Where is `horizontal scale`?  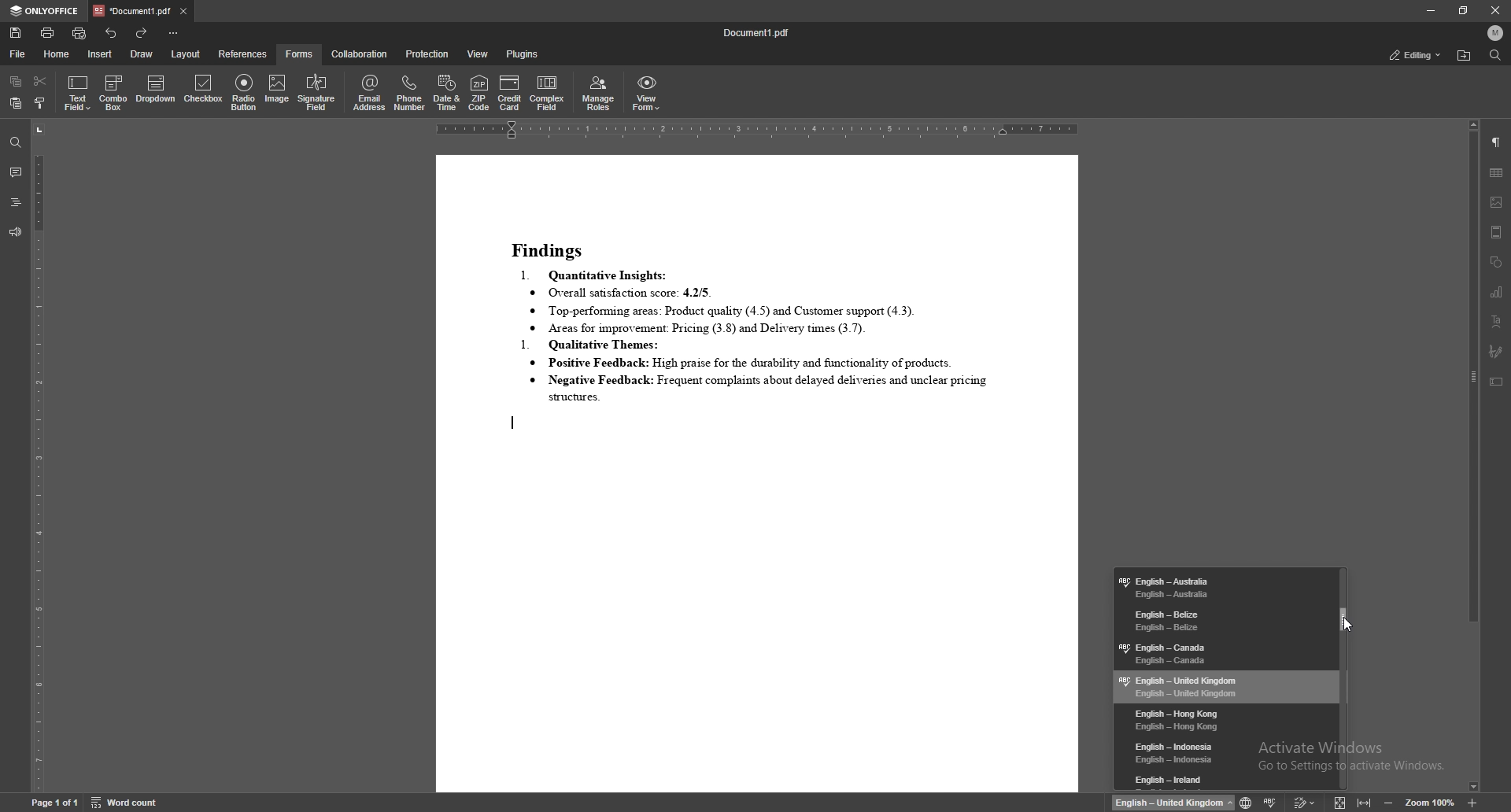
horizontal scale is located at coordinates (757, 131).